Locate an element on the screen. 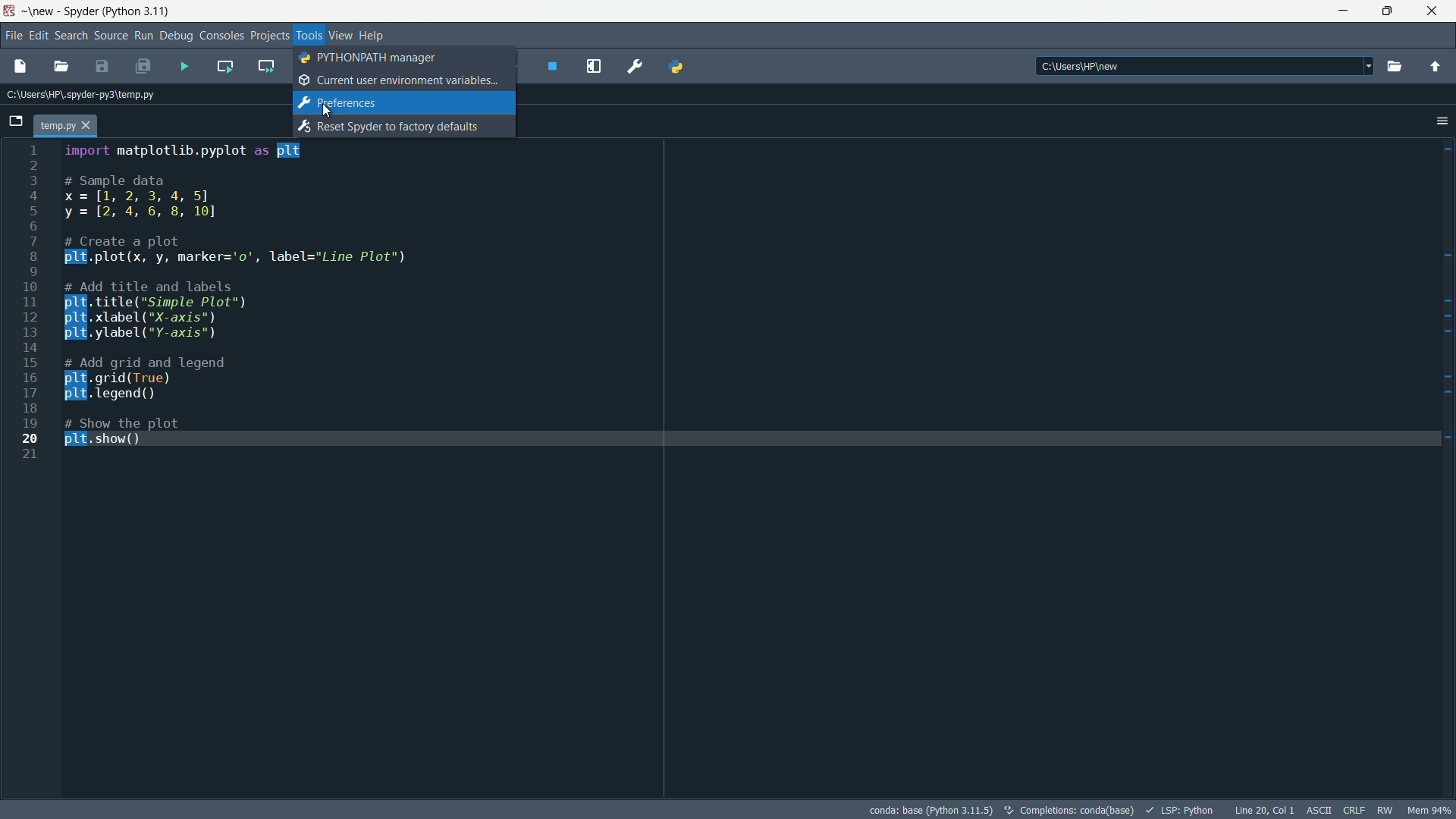 The height and width of the screenshot is (819, 1456). run current cell is located at coordinates (225, 66).